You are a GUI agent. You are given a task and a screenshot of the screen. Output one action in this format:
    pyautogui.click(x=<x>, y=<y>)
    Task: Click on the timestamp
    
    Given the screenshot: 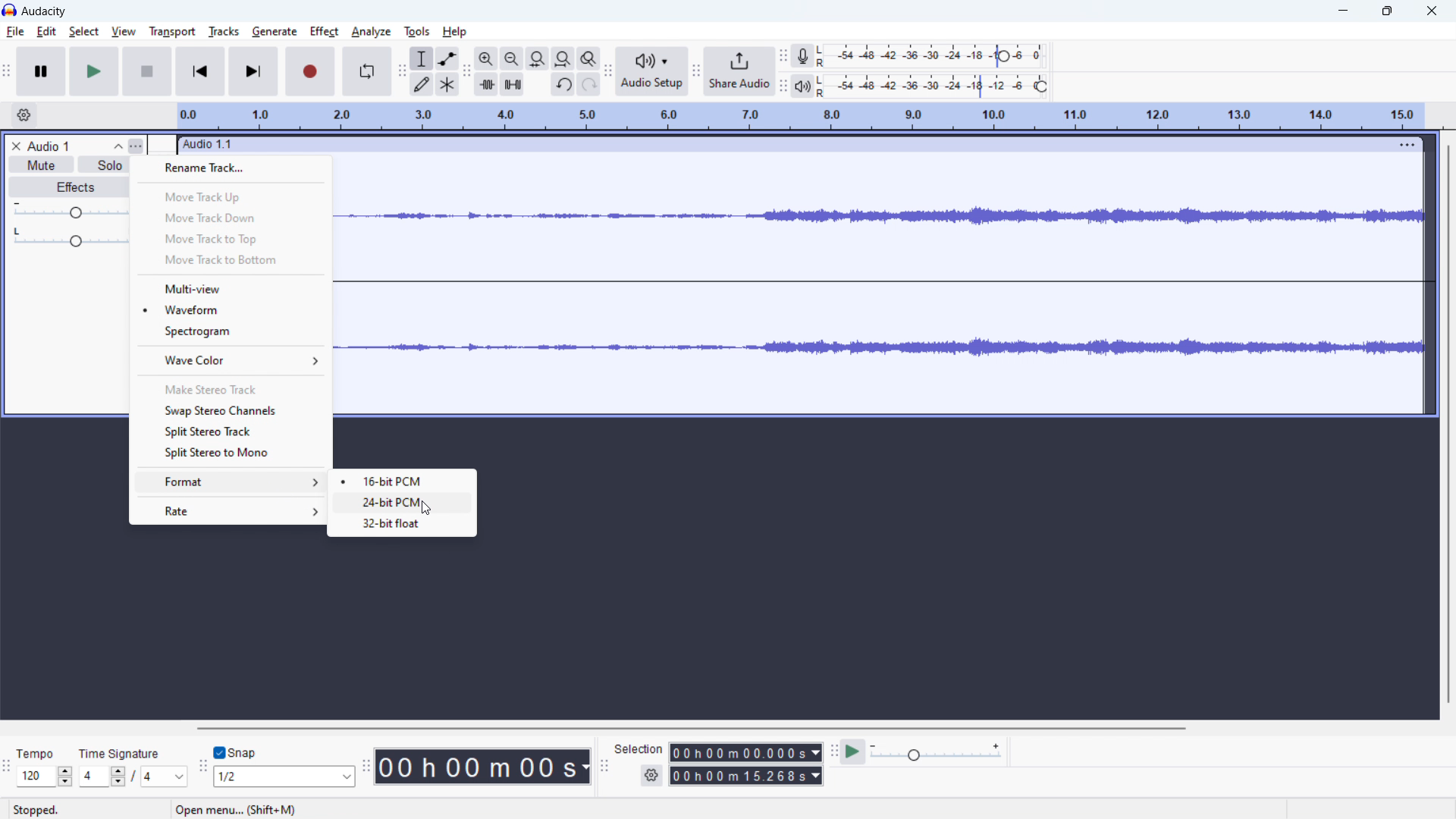 What is the action you would take?
    pyautogui.click(x=483, y=765)
    